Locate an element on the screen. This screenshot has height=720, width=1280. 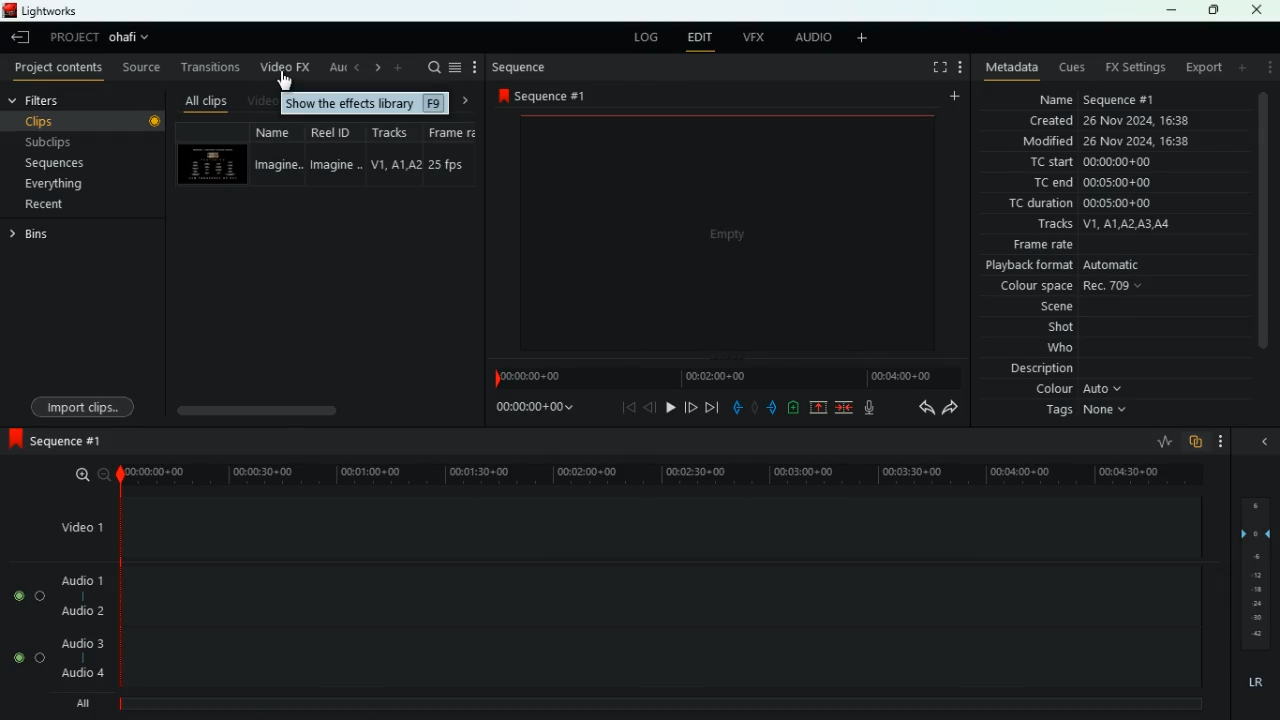
more is located at coordinates (1268, 70).